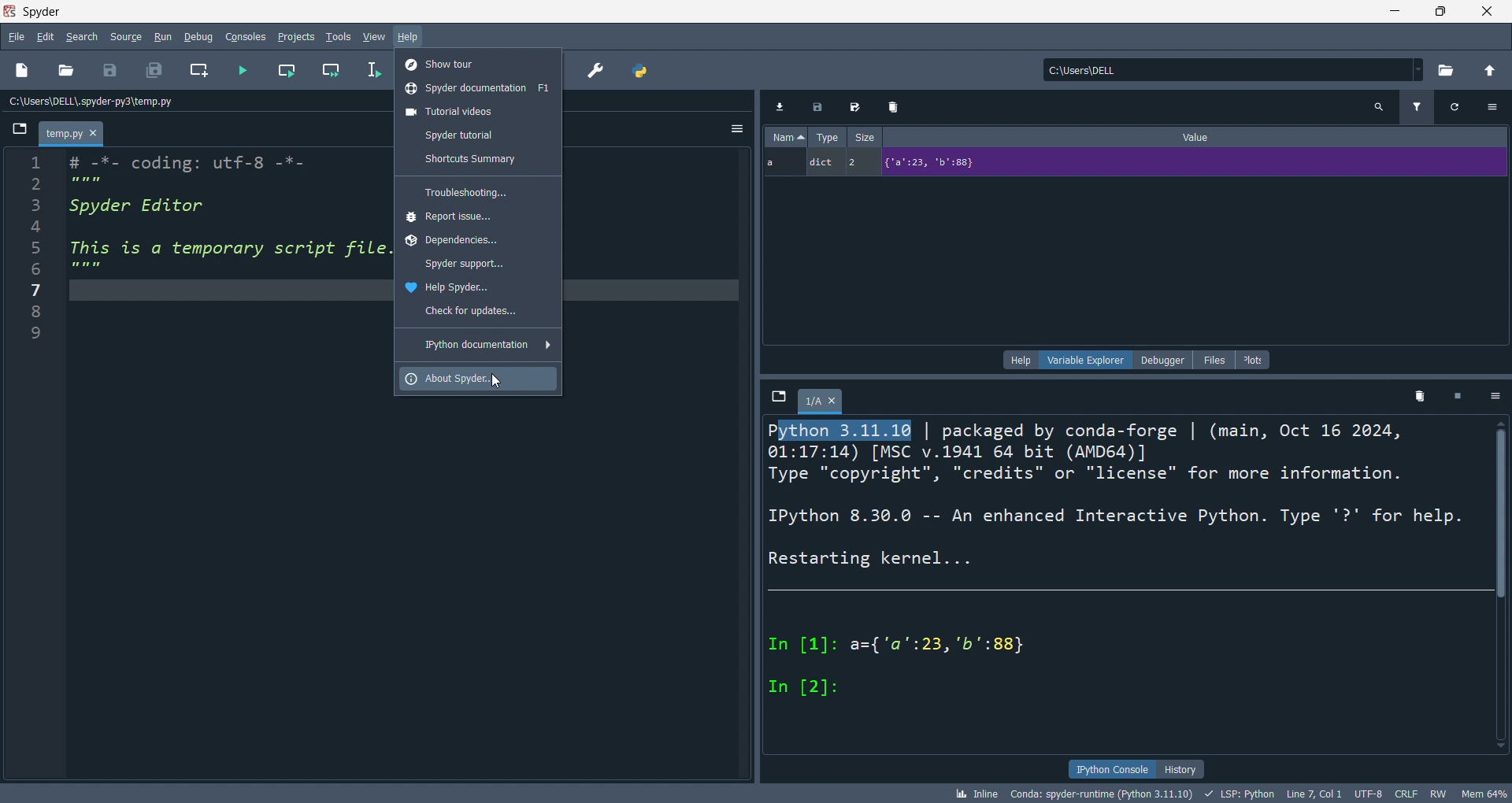 The width and height of the screenshot is (1512, 803). I want to click on plots, so click(1255, 360).